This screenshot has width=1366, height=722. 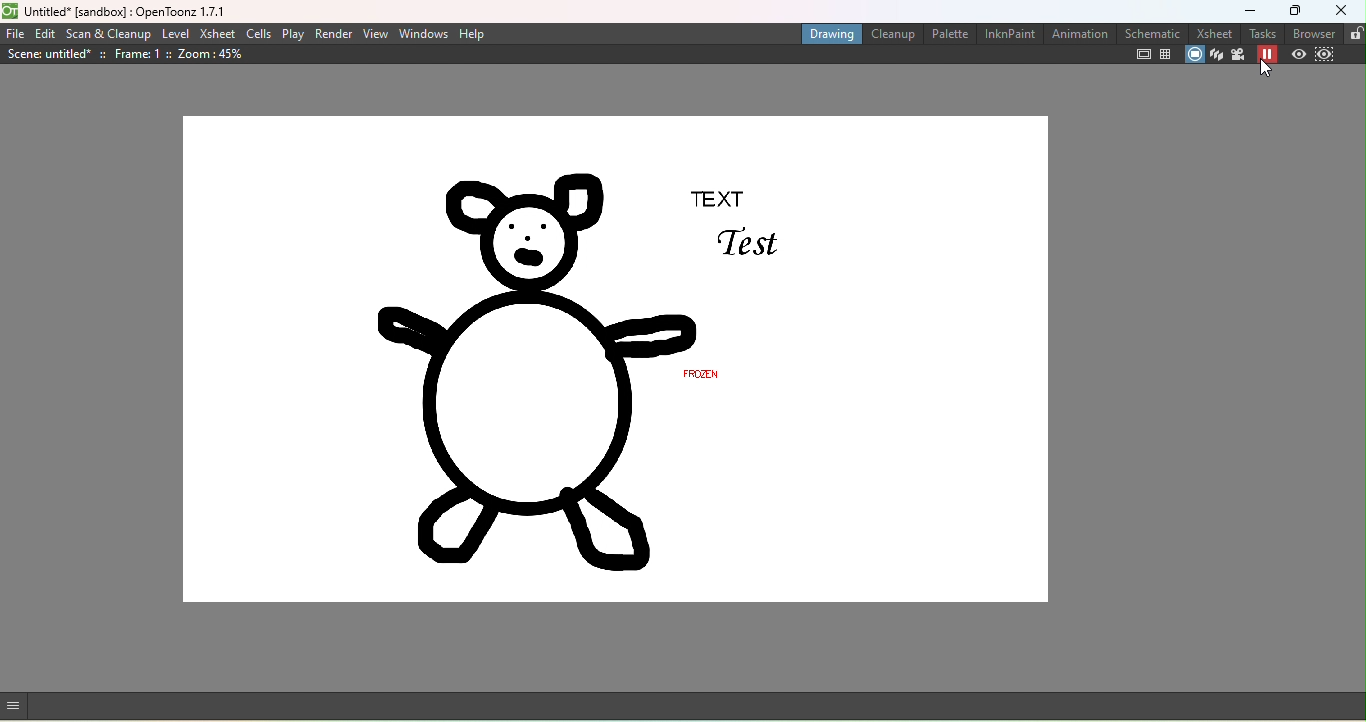 What do you see at coordinates (215, 33) in the screenshot?
I see `Xsheet` at bounding box center [215, 33].